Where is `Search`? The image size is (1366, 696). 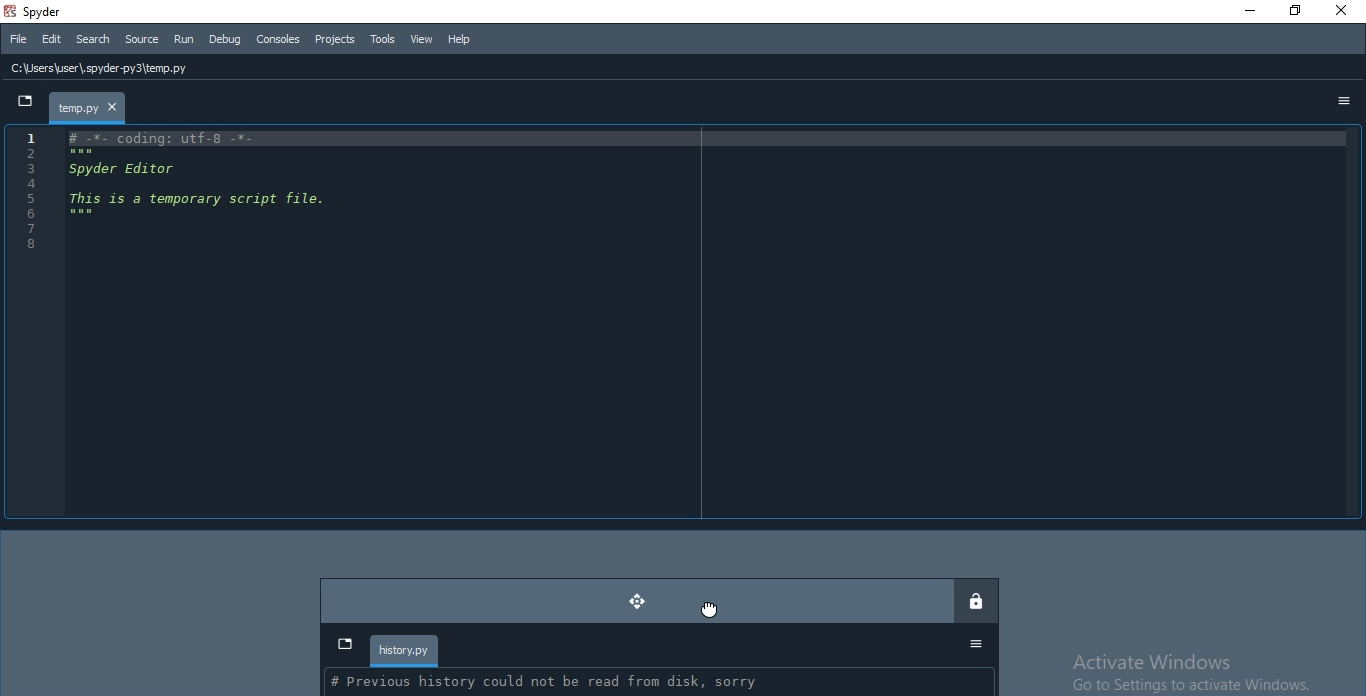 Search is located at coordinates (95, 39).